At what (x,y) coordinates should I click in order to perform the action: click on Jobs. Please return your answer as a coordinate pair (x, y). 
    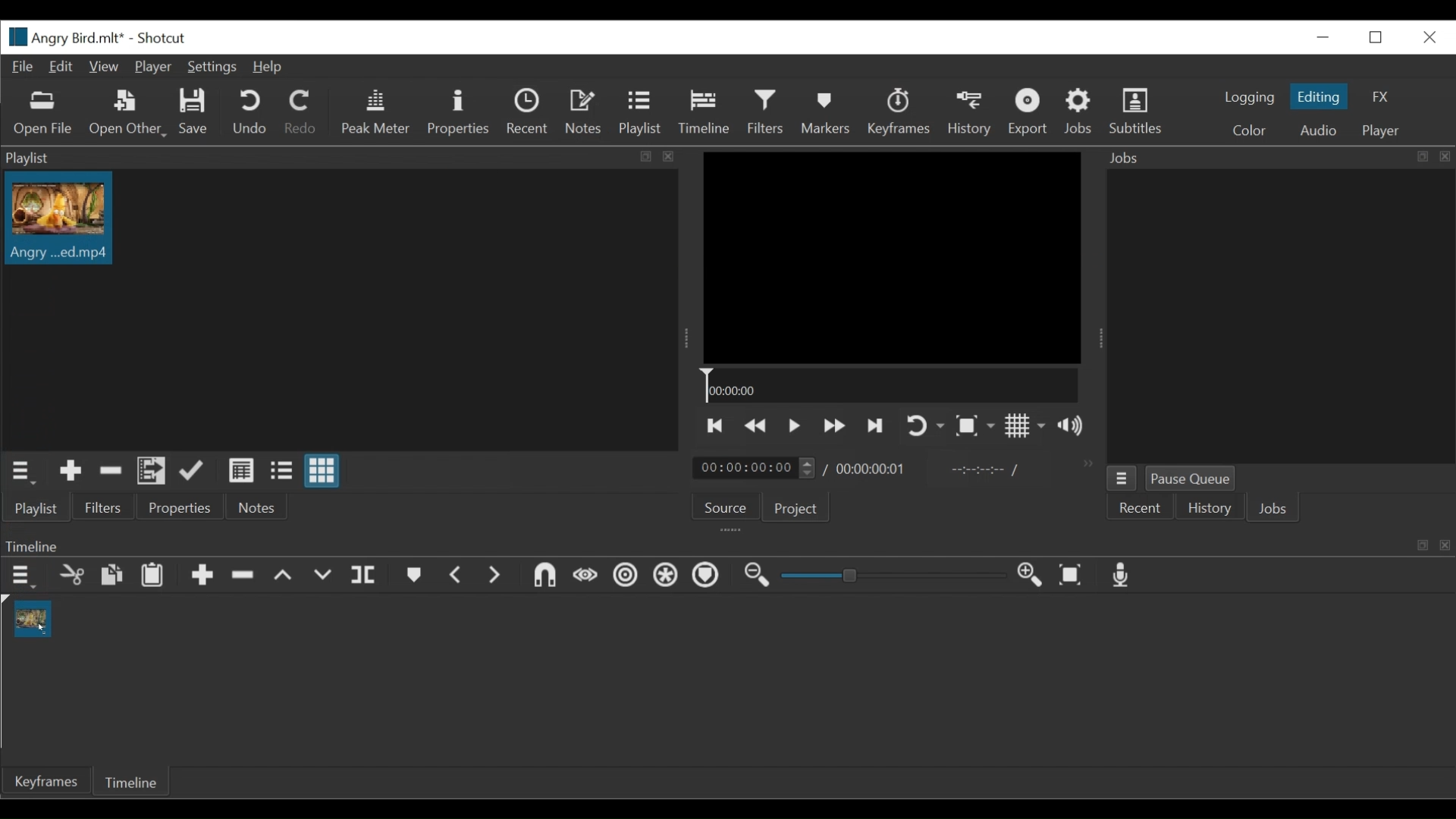
    Looking at the image, I should click on (1272, 508).